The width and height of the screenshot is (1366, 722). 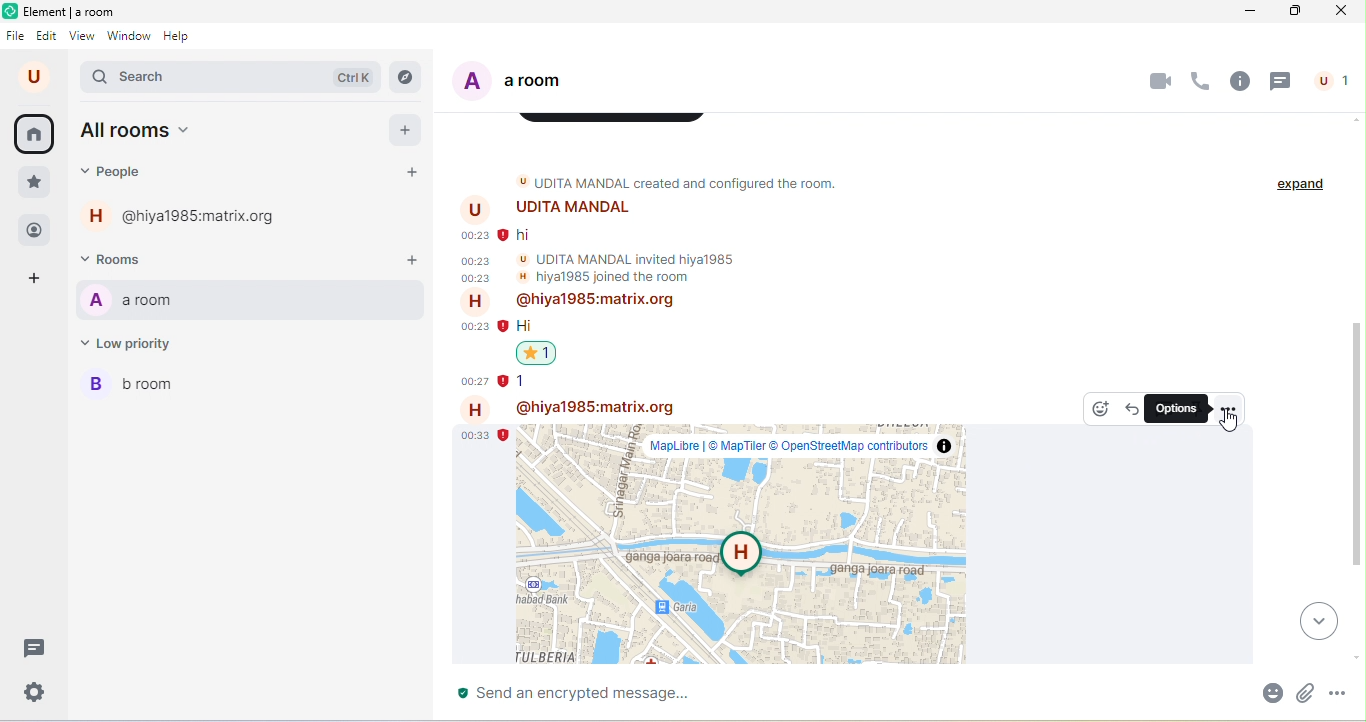 What do you see at coordinates (536, 353) in the screenshot?
I see `reaction to the text` at bounding box center [536, 353].